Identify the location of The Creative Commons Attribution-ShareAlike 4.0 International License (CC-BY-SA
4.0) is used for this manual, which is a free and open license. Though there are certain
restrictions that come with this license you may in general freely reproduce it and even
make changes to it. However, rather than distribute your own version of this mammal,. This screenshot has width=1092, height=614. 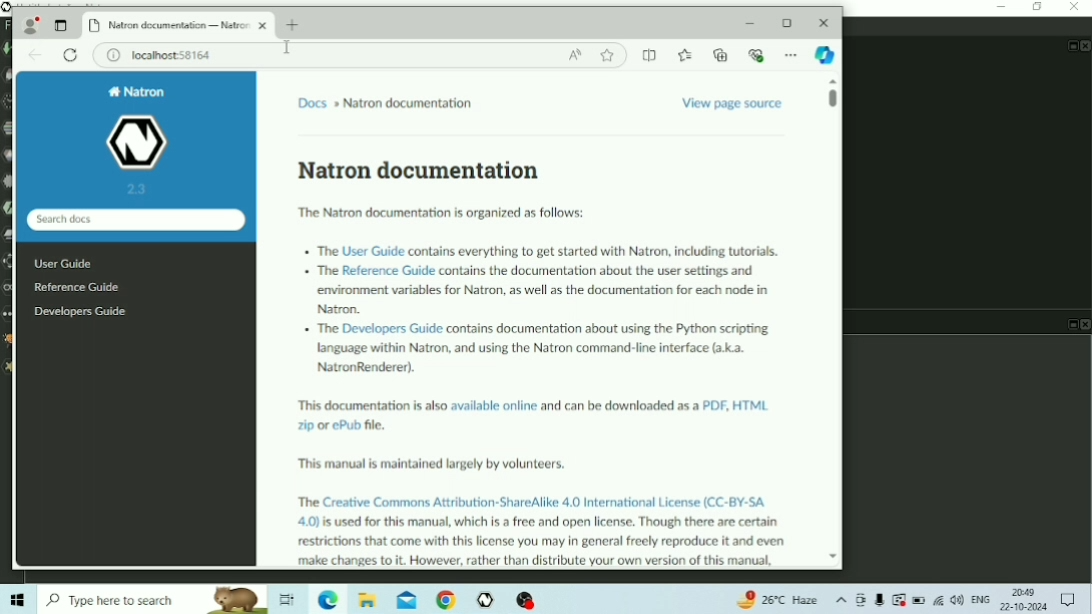
(538, 531).